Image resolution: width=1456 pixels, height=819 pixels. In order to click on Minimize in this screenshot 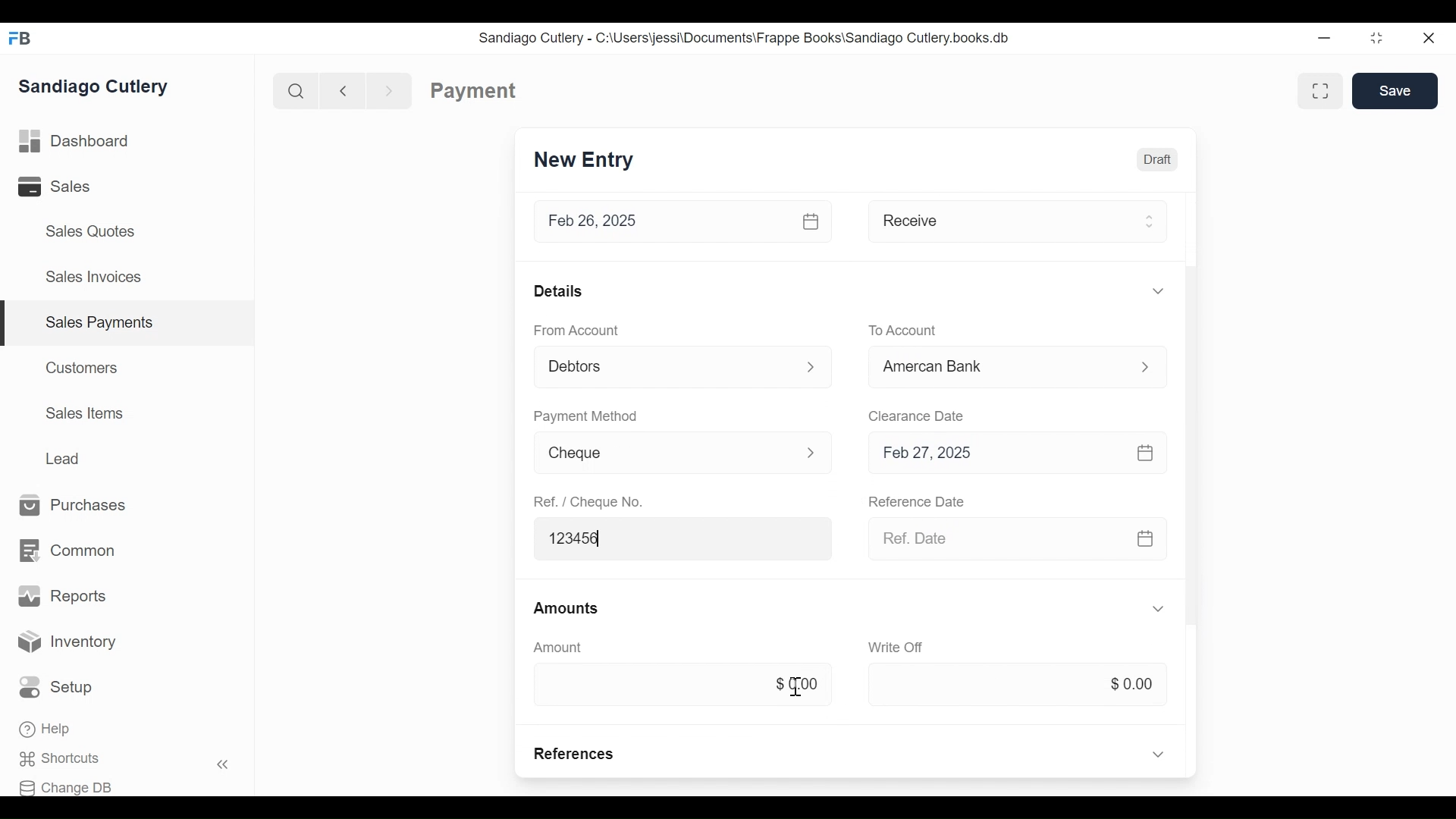, I will do `click(1324, 39)`.